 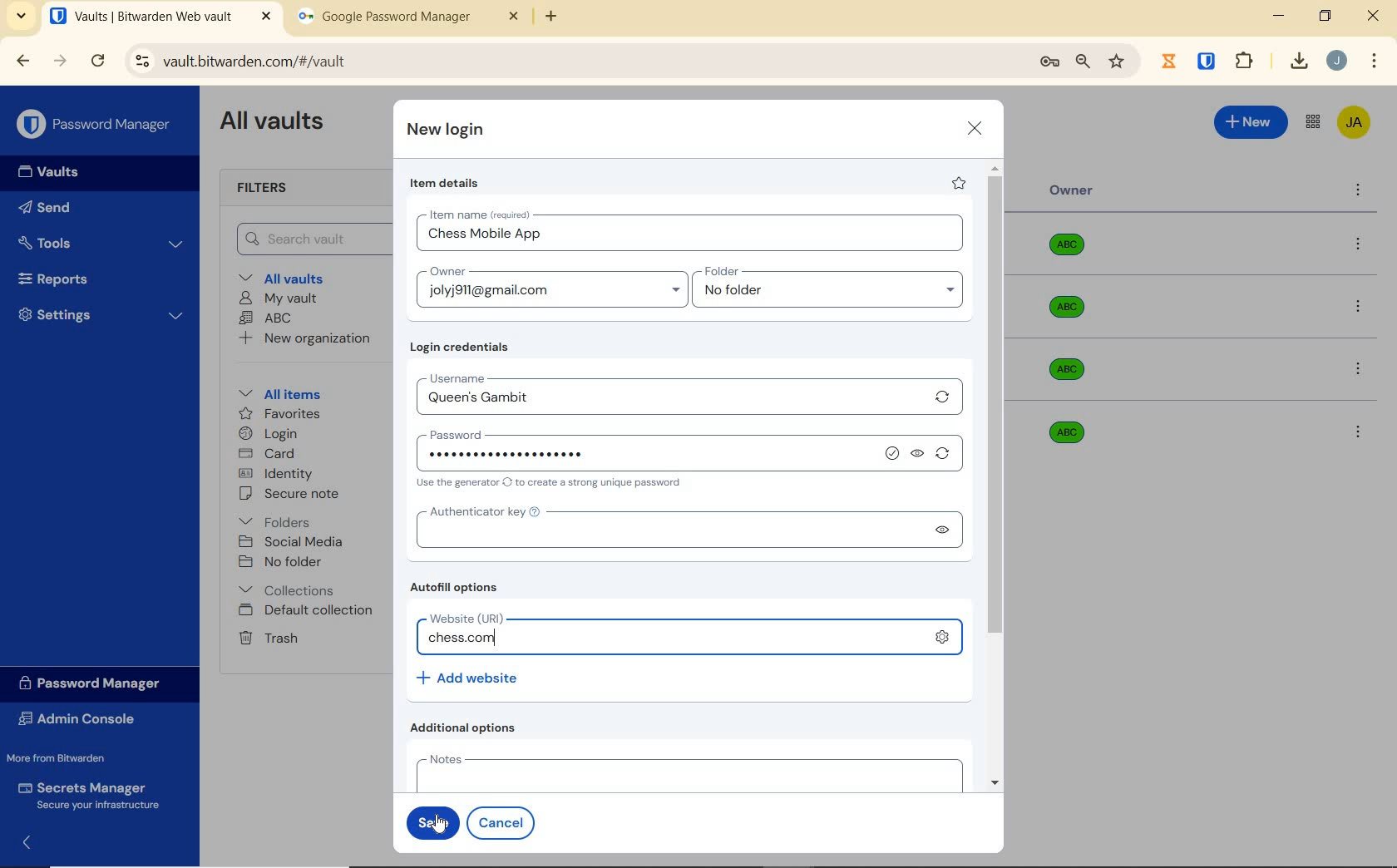 What do you see at coordinates (303, 338) in the screenshot?
I see `New organization` at bounding box center [303, 338].